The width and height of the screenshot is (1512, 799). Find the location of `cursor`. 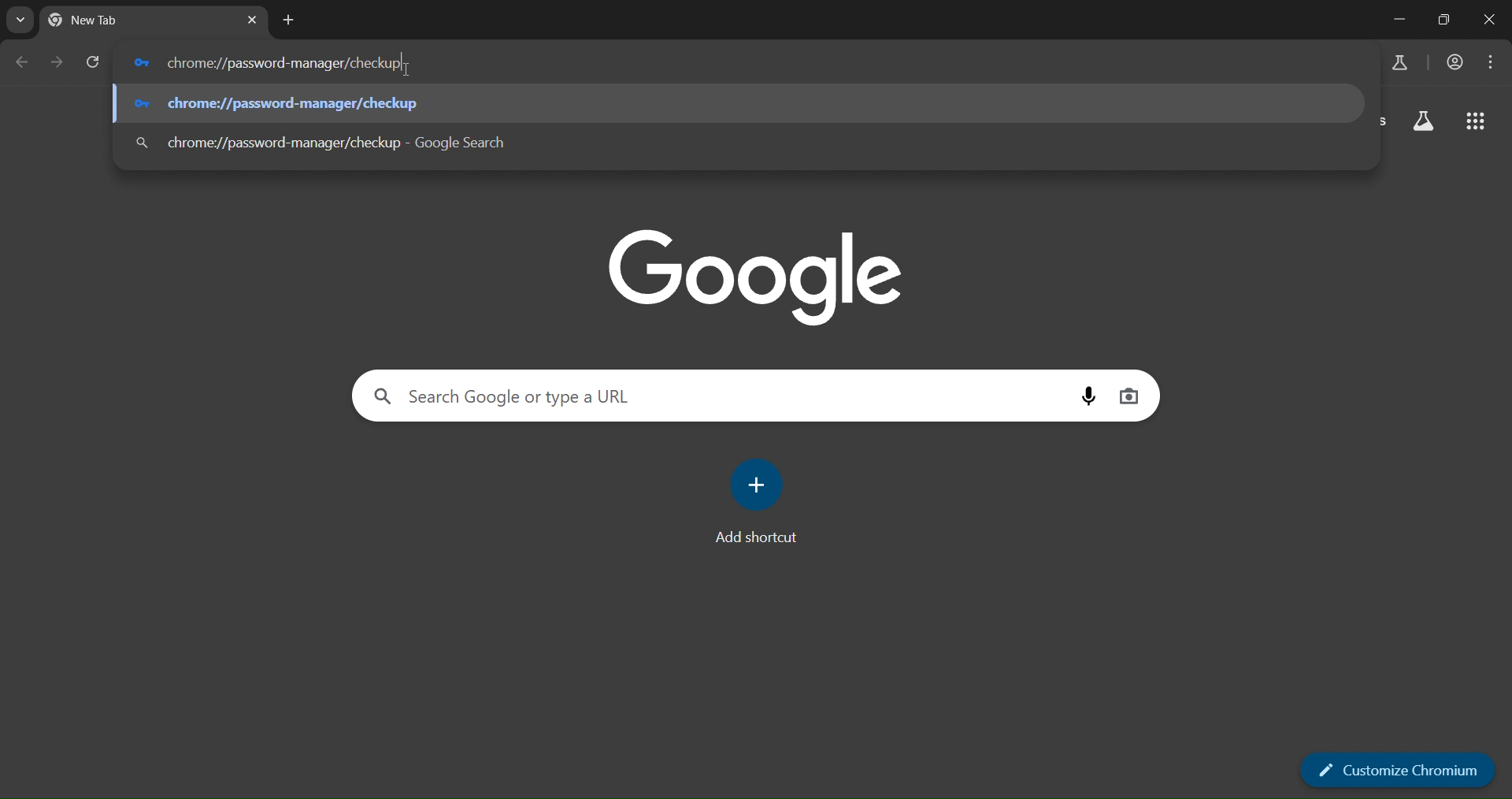

cursor is located at coordinates (406, 71).